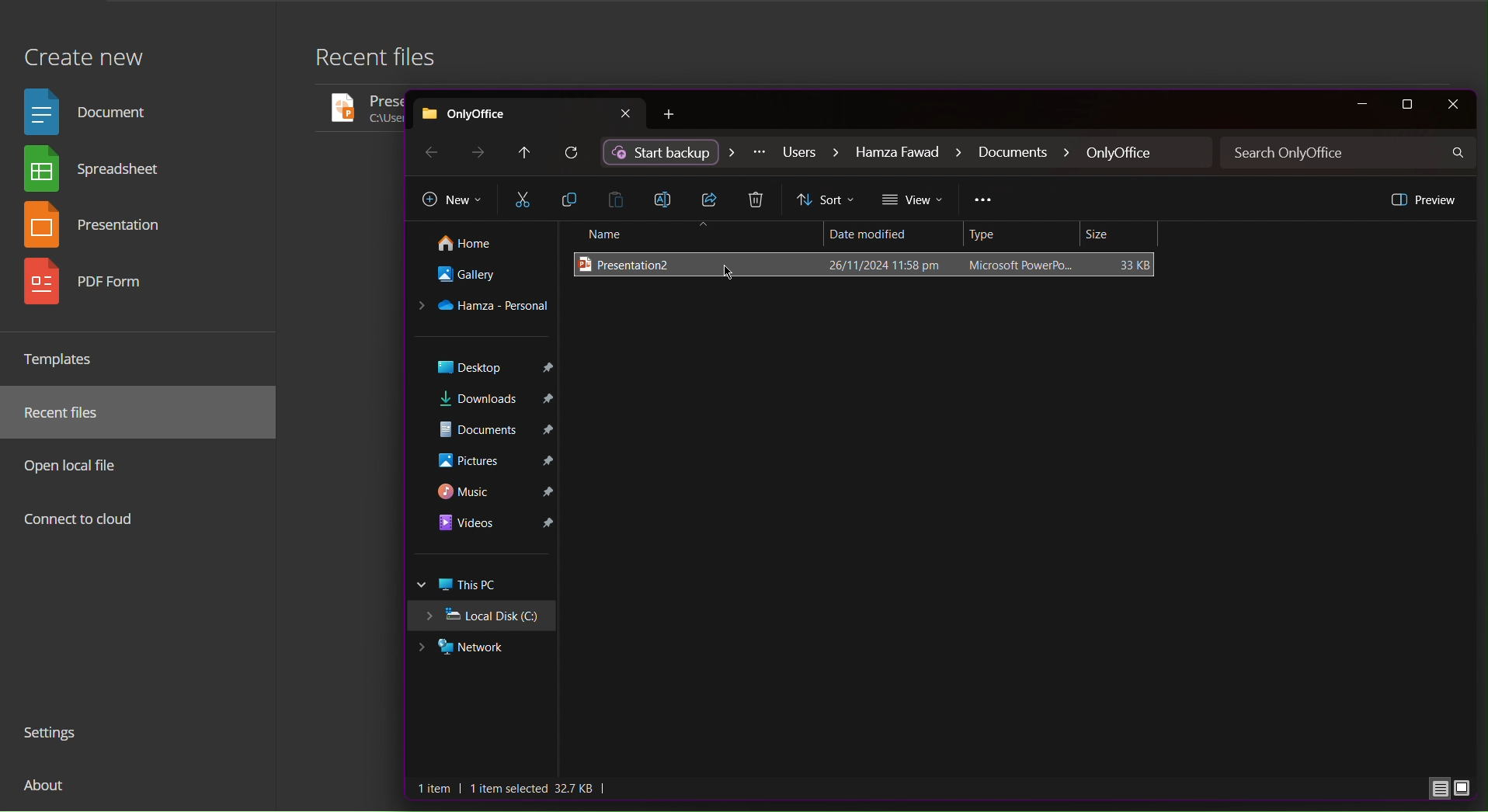  Describe the element at coordinates (485, 453) in the screenshot. I see `Folders` at that location.